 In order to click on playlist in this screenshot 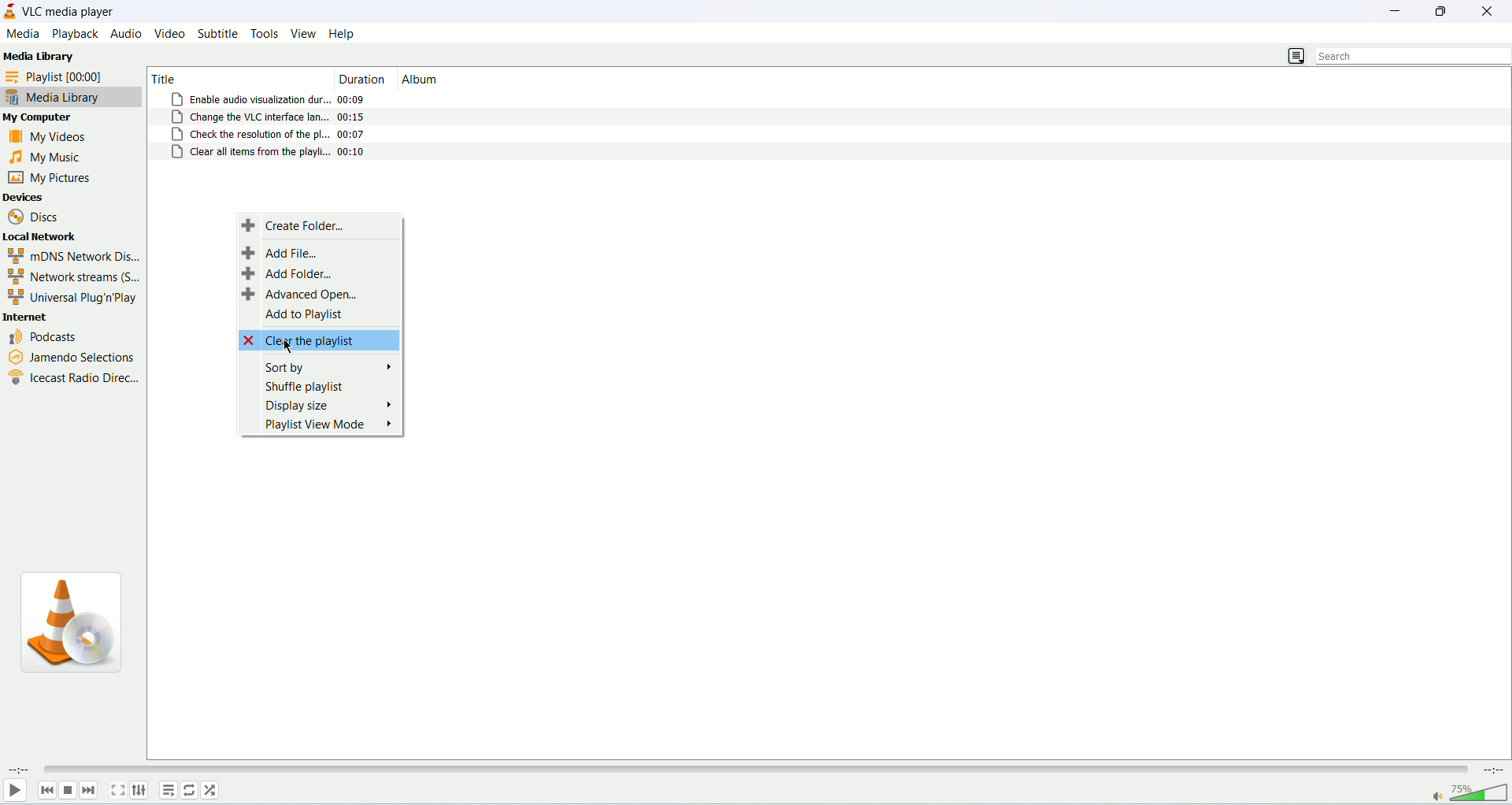, I will do `click(68, 76)`.